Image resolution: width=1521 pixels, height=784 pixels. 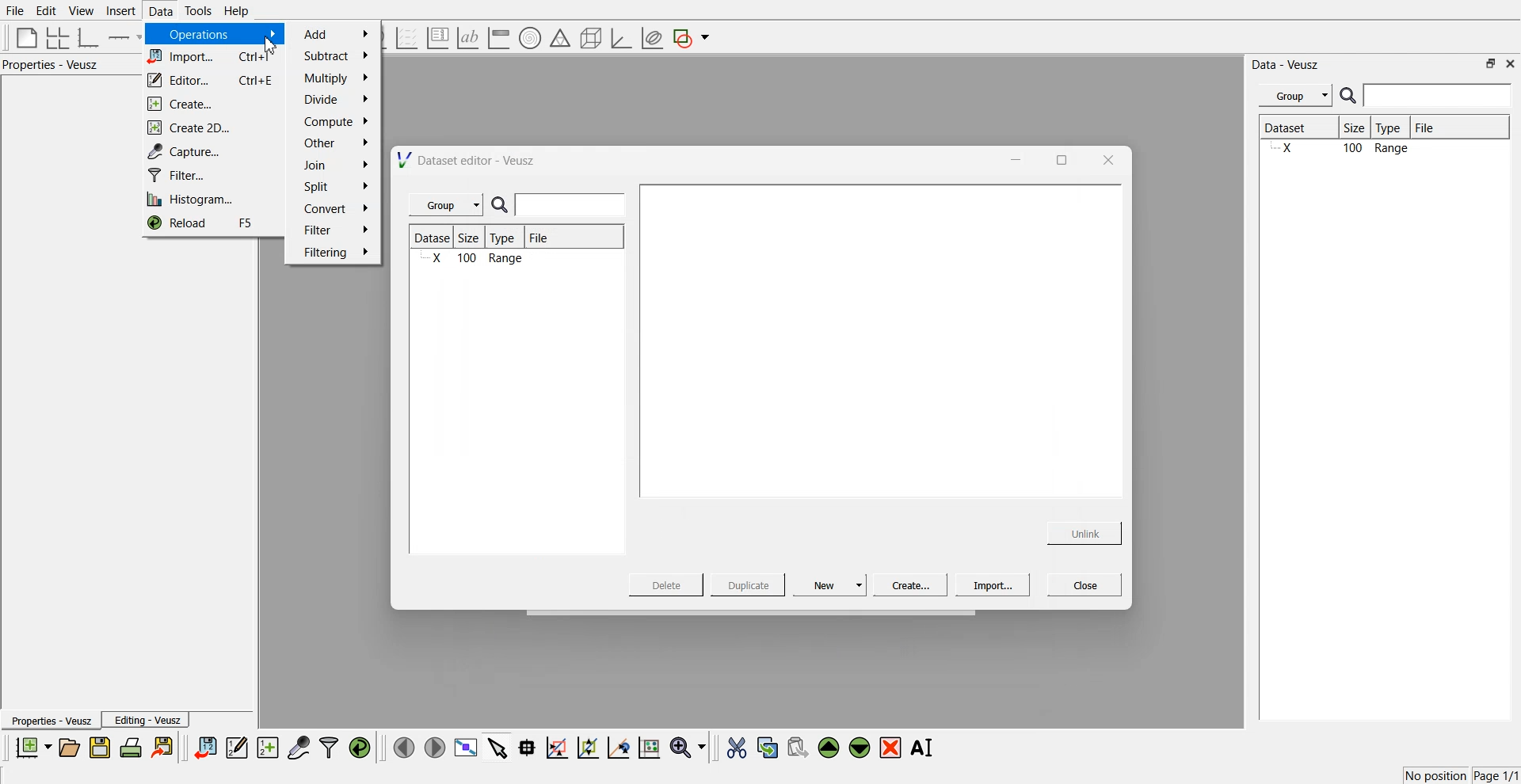 What do you see at coordinates (586, 747) in the screenshot?
I see `zoom out the graph axes` at bounding box center [586, 747].